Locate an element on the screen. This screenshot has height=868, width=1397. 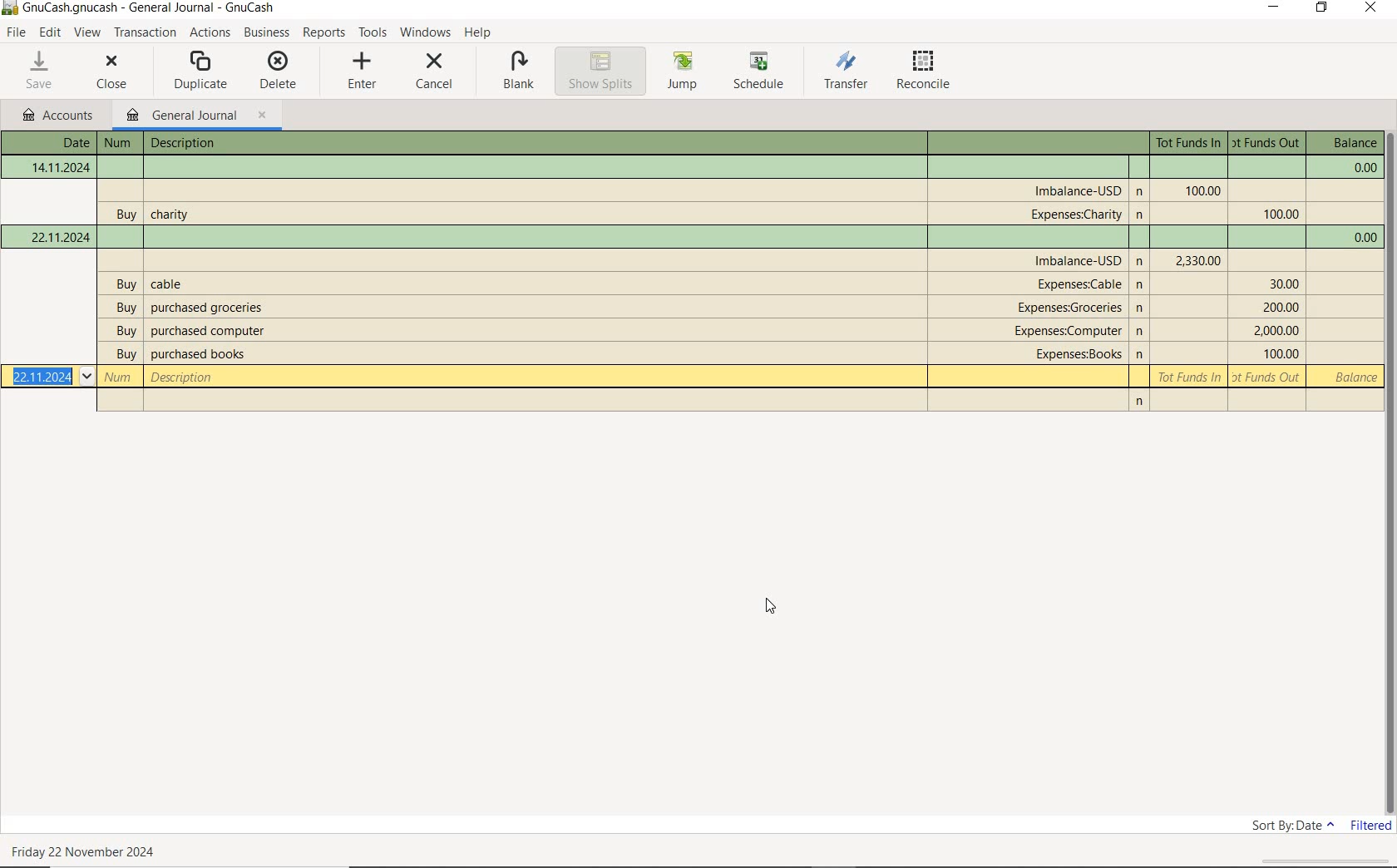
EDIT is located at coordinates (52, 33).